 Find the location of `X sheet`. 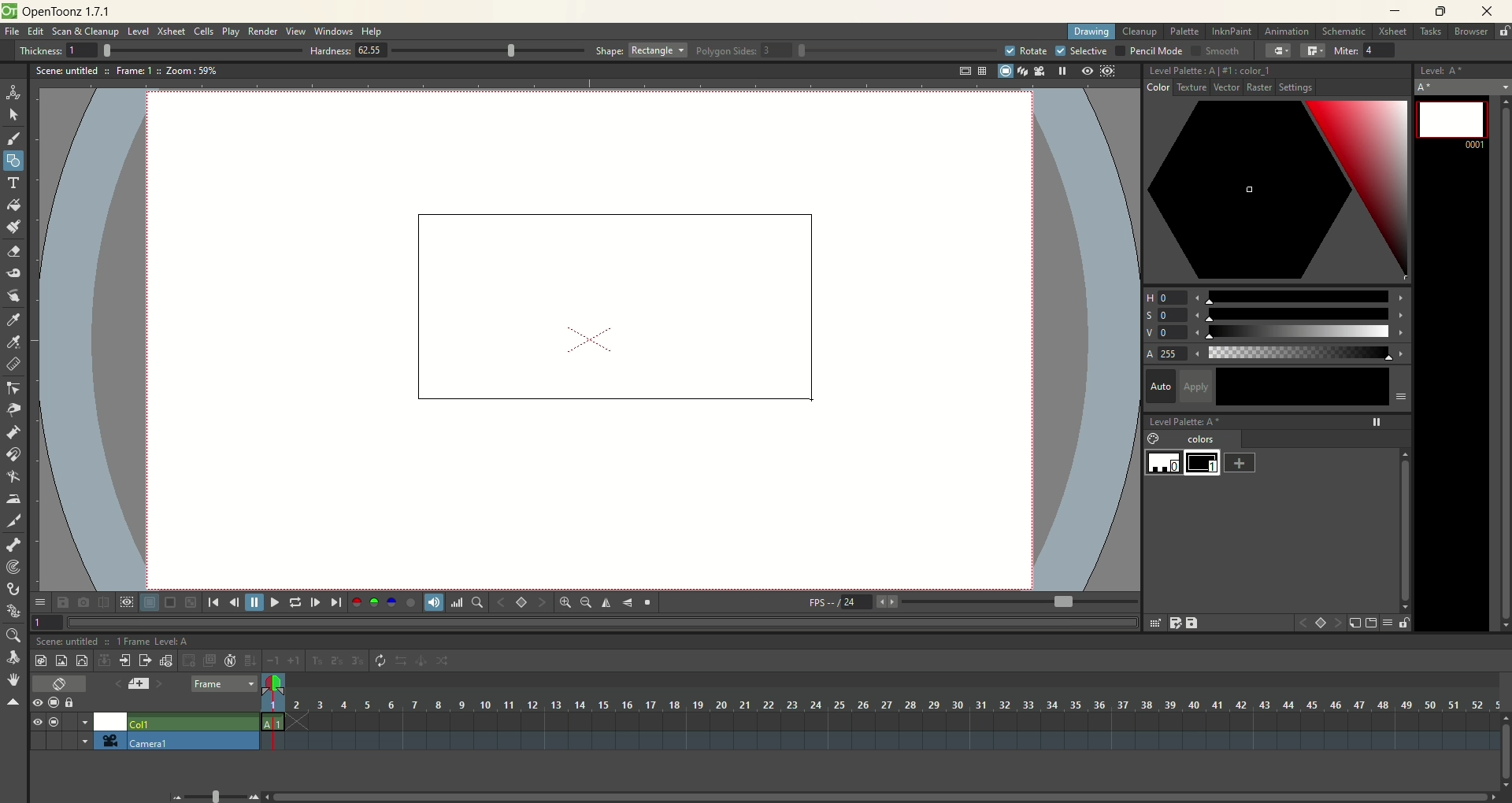

X sheet is located at coordinates (1395, 32).